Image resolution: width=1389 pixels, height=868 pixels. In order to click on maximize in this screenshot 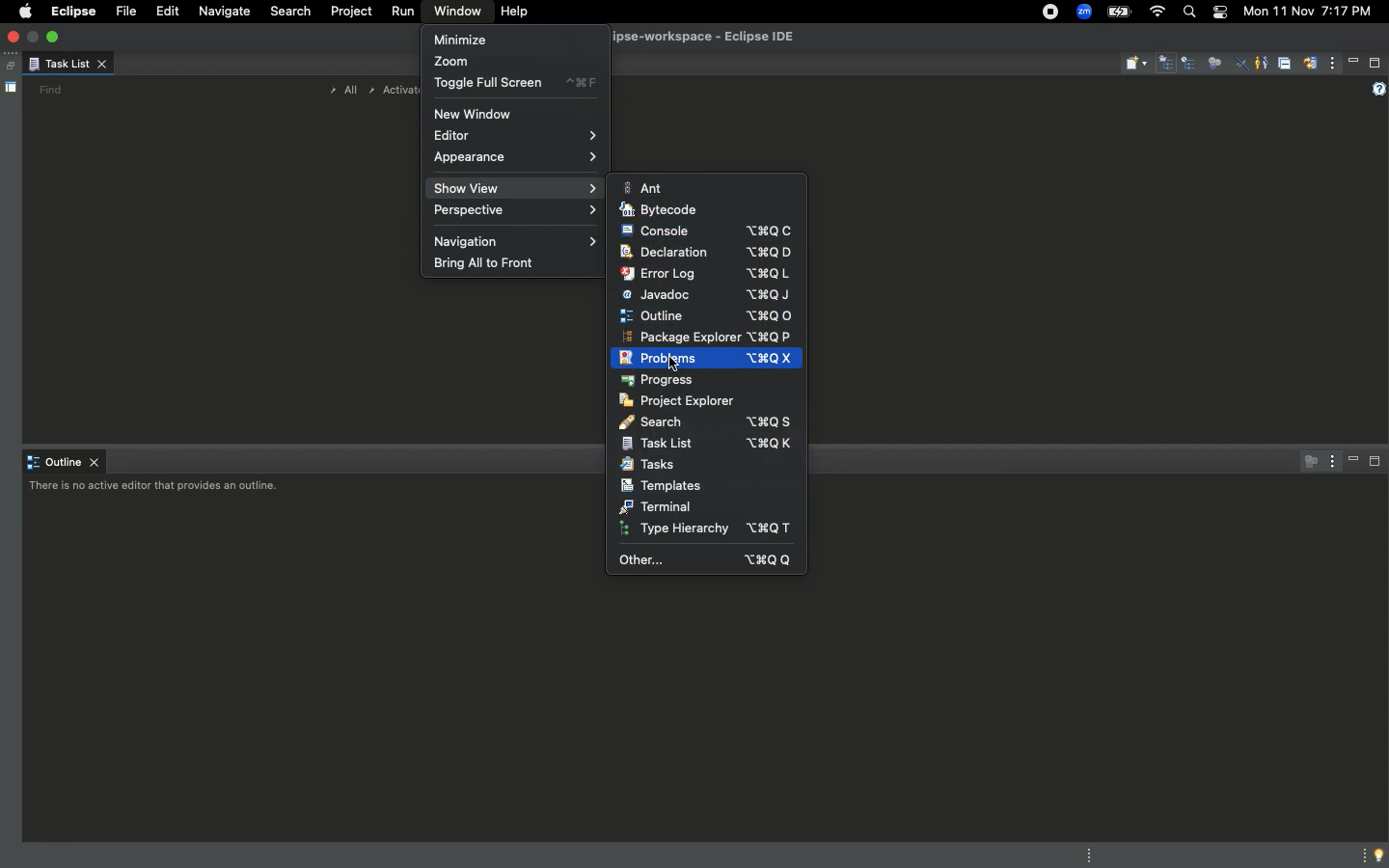, I will do `click(55, 36)`.